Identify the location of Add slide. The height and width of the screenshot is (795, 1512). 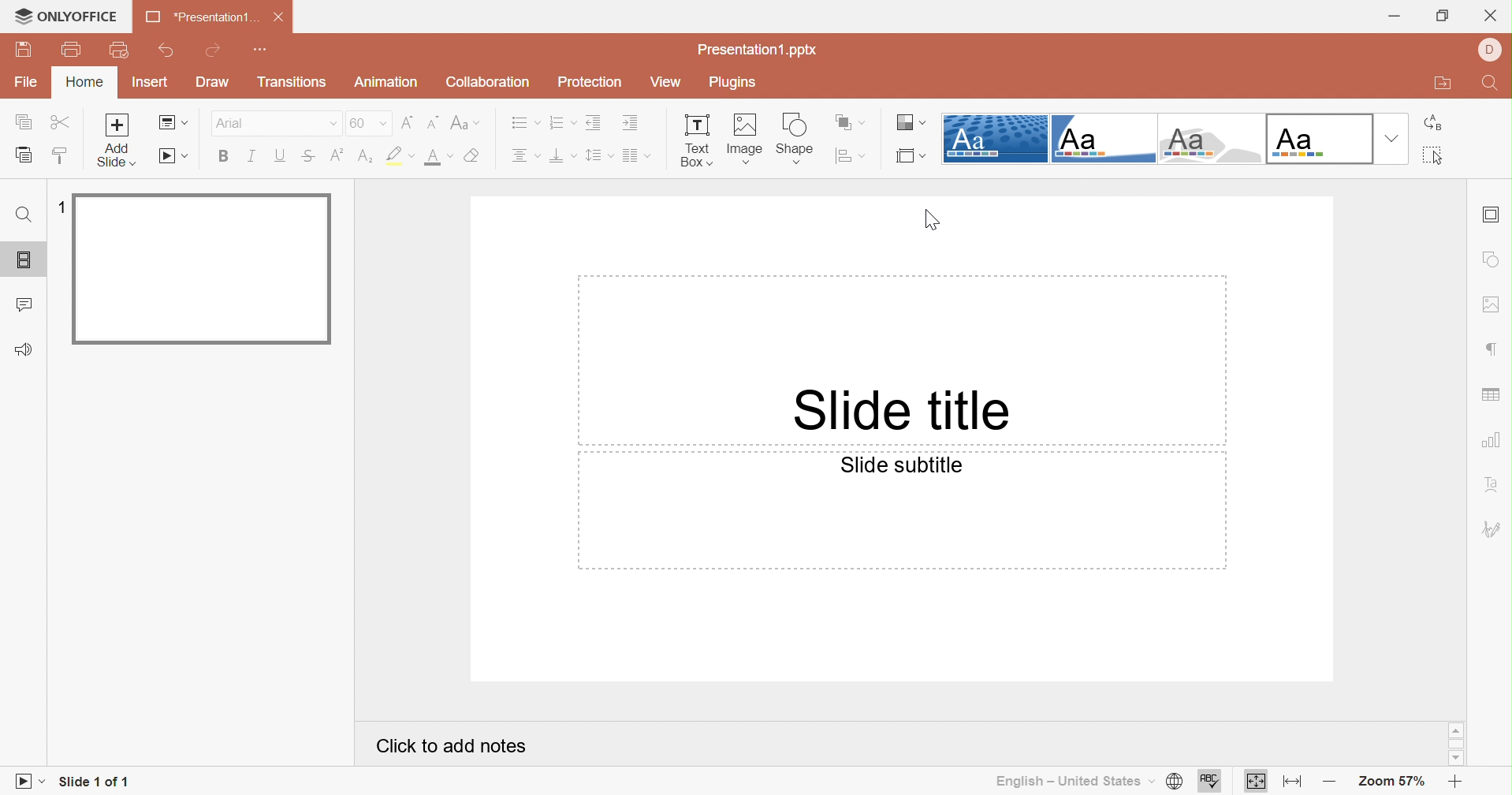
(115, 125).